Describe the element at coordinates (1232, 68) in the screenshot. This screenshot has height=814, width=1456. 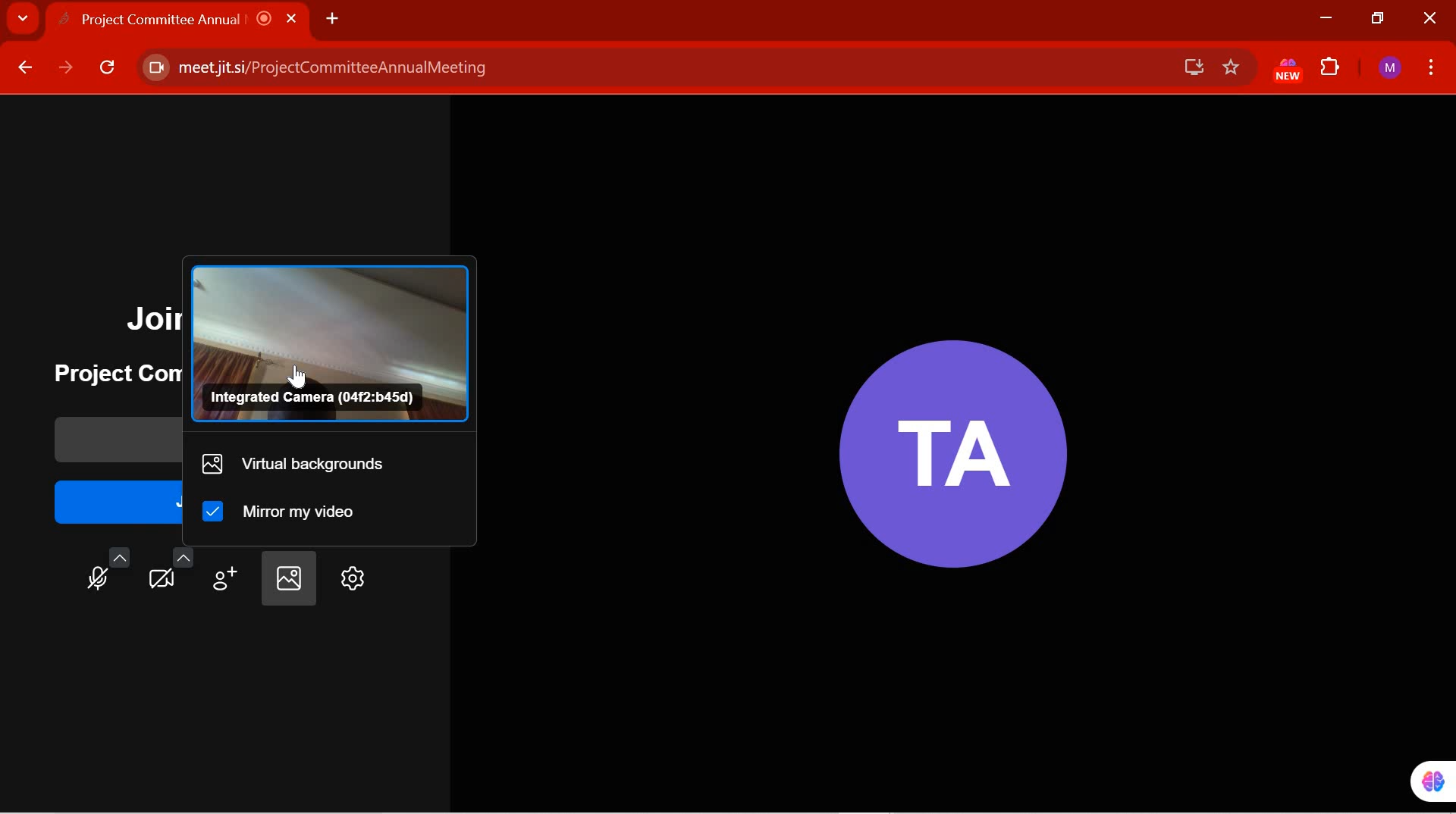
I see `favorites` at that location.